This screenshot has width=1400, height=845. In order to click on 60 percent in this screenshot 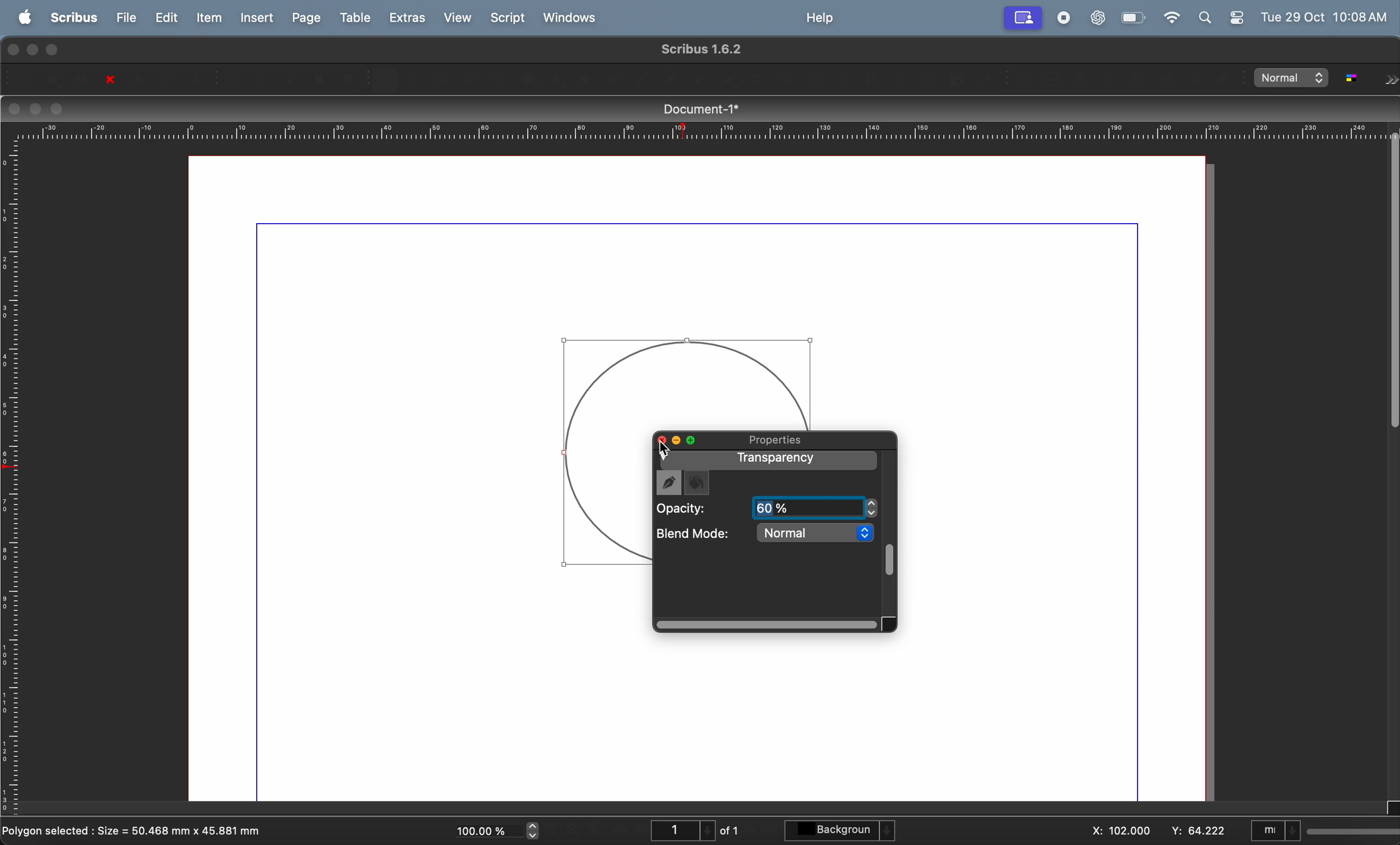, I will do `click(815, 507)`.